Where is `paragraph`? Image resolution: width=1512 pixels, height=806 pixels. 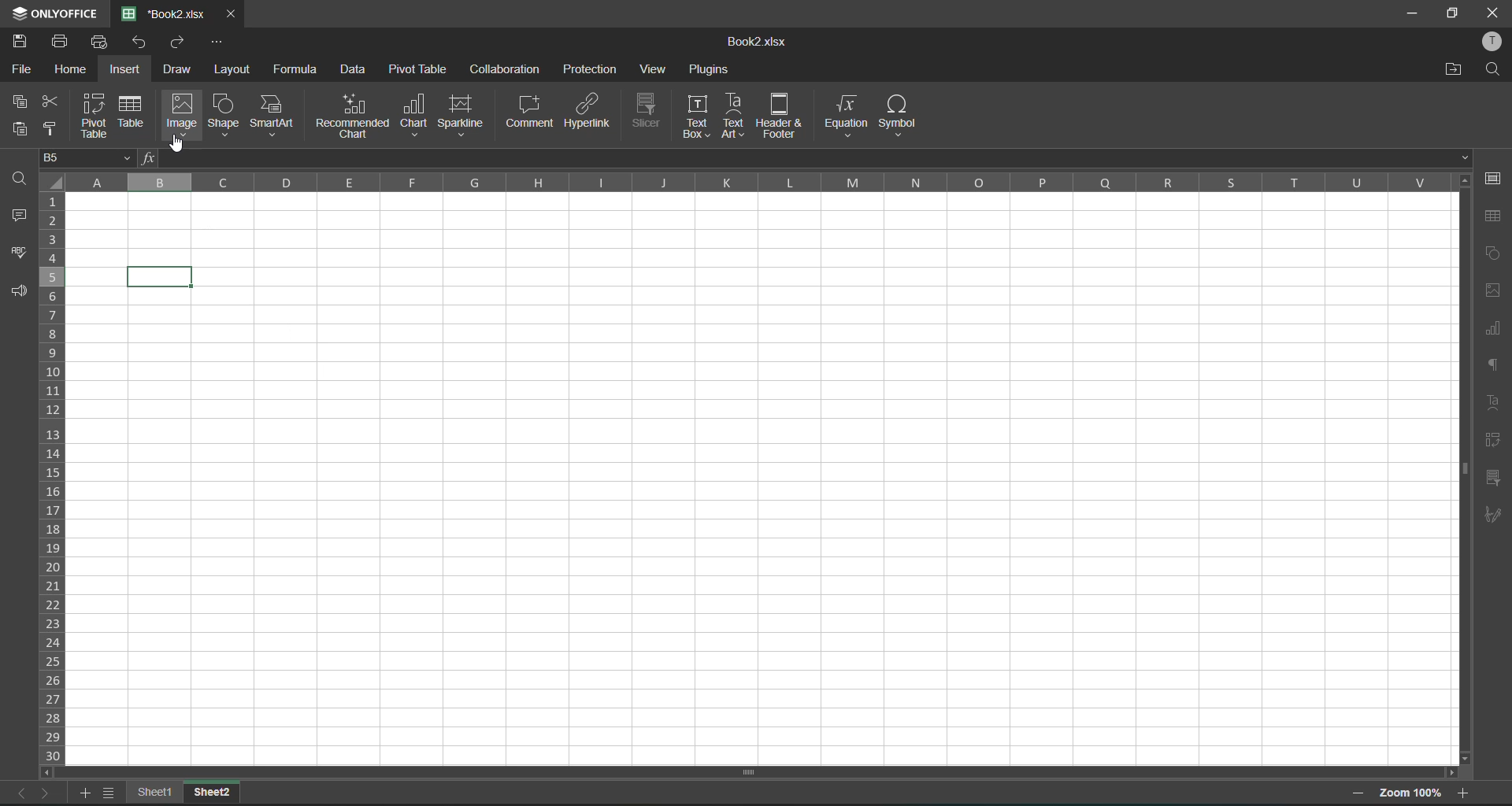
paragraph is located at coordinates (1496, 370).